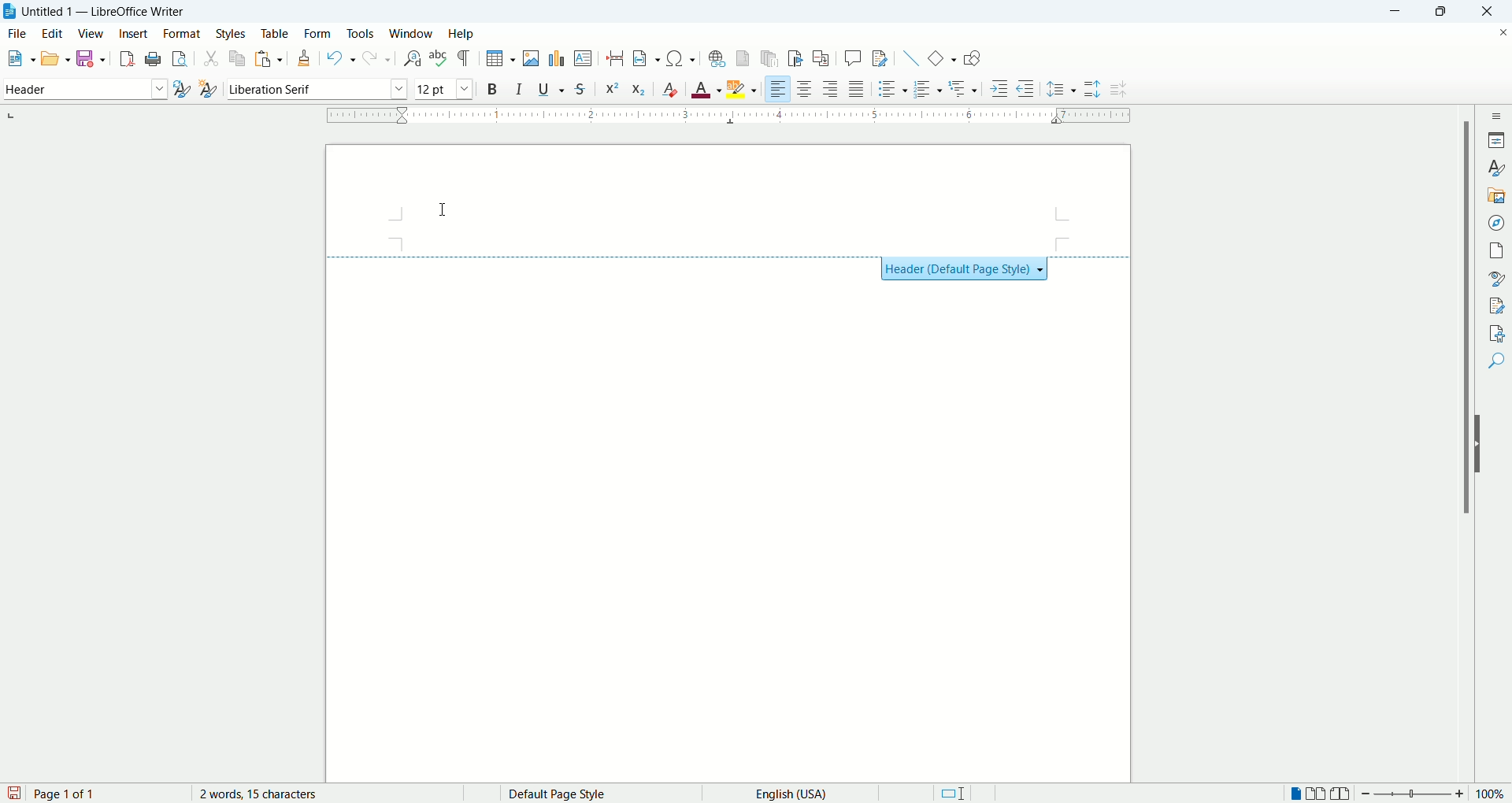 This screenshot has width=1512, height=803. I want to click on close document, so click(1499, 35).